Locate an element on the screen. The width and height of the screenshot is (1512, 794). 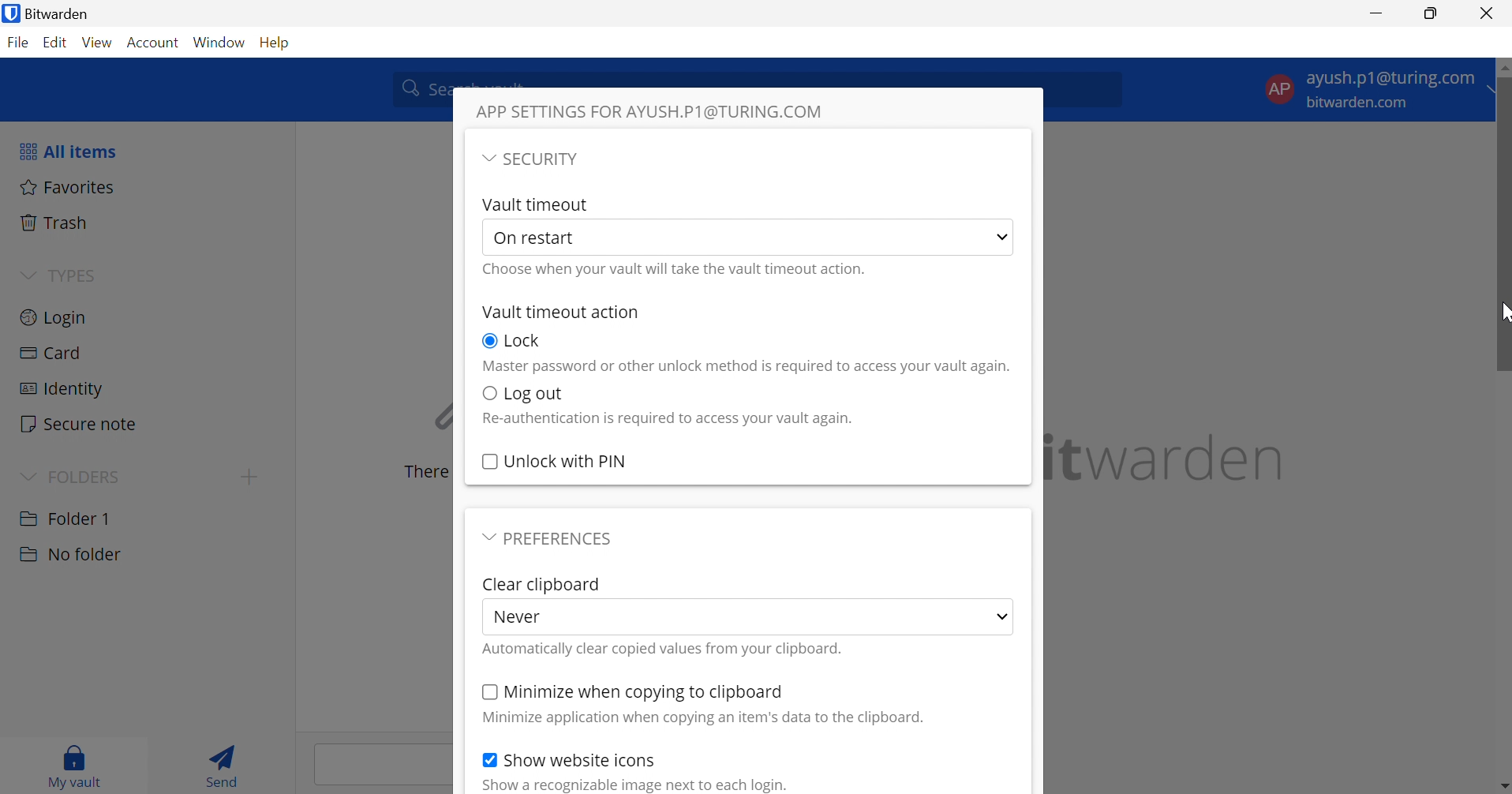
Identity is located at coordinates (60, 389).